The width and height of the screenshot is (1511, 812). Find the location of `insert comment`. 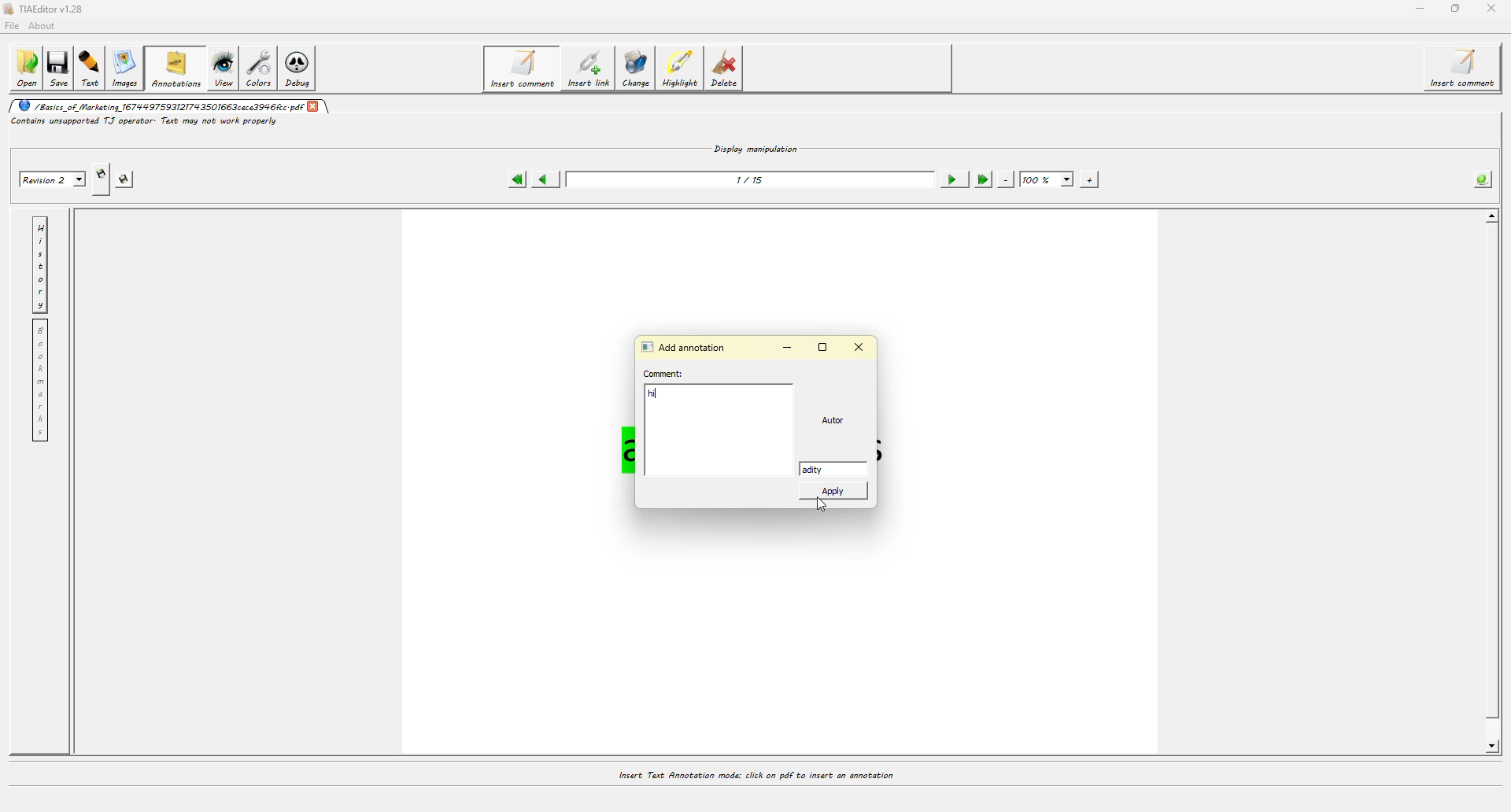

insert comment is located at coordinates (1466, 68).